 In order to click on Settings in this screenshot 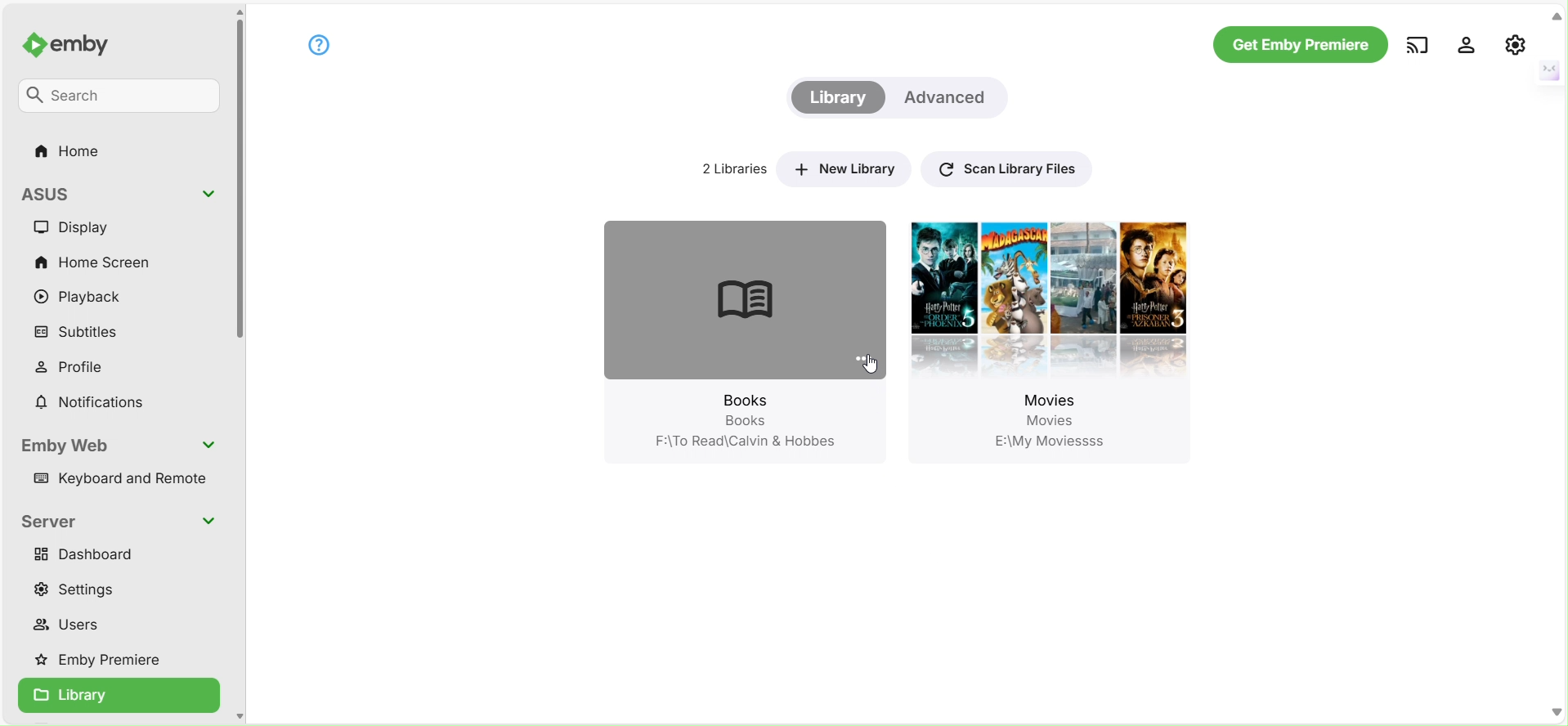, I will do `click(84, 589)`.